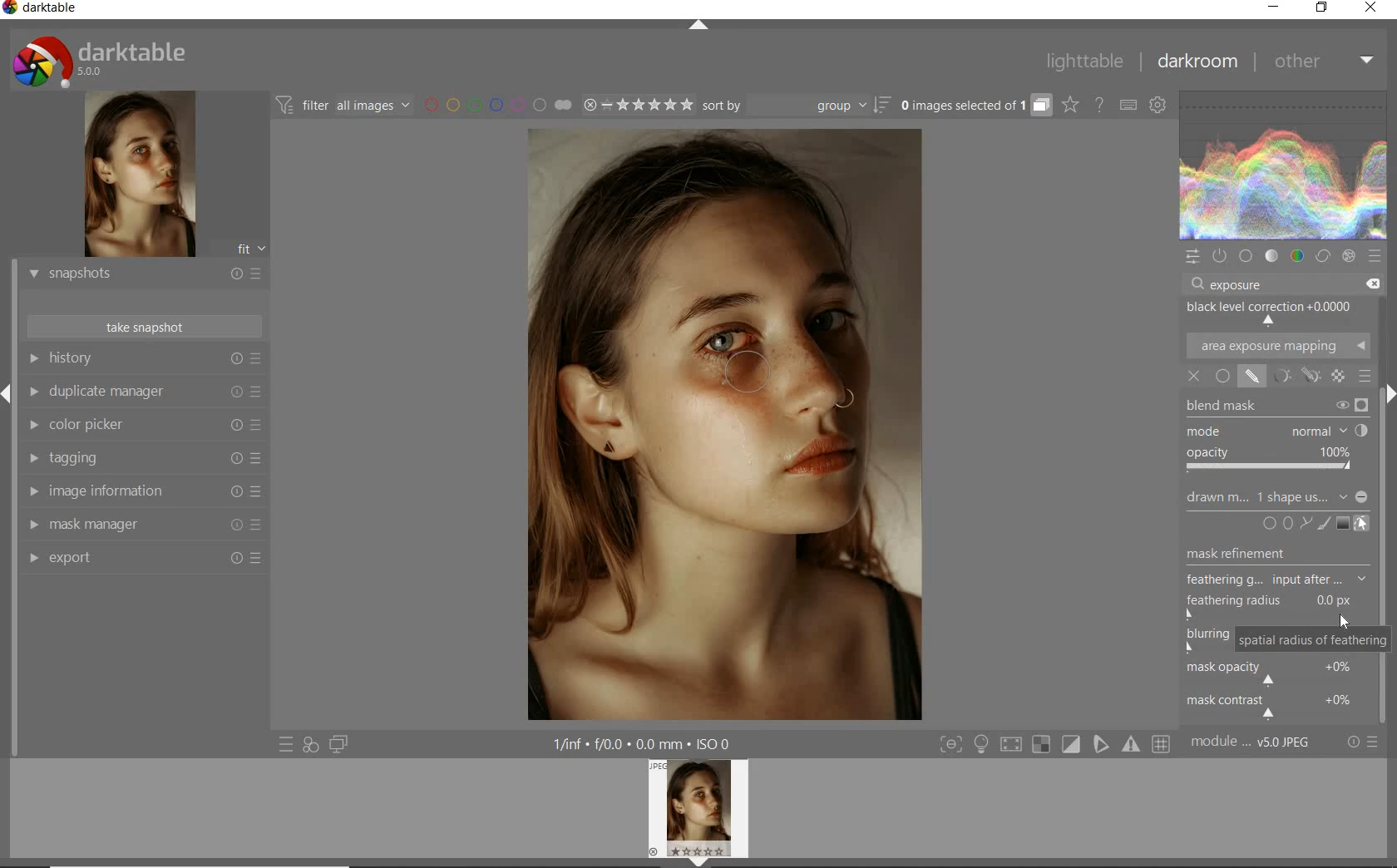 The width and height of the screenshot is (1397, 868). I want to click on expand grouped images, so click(974, 106).